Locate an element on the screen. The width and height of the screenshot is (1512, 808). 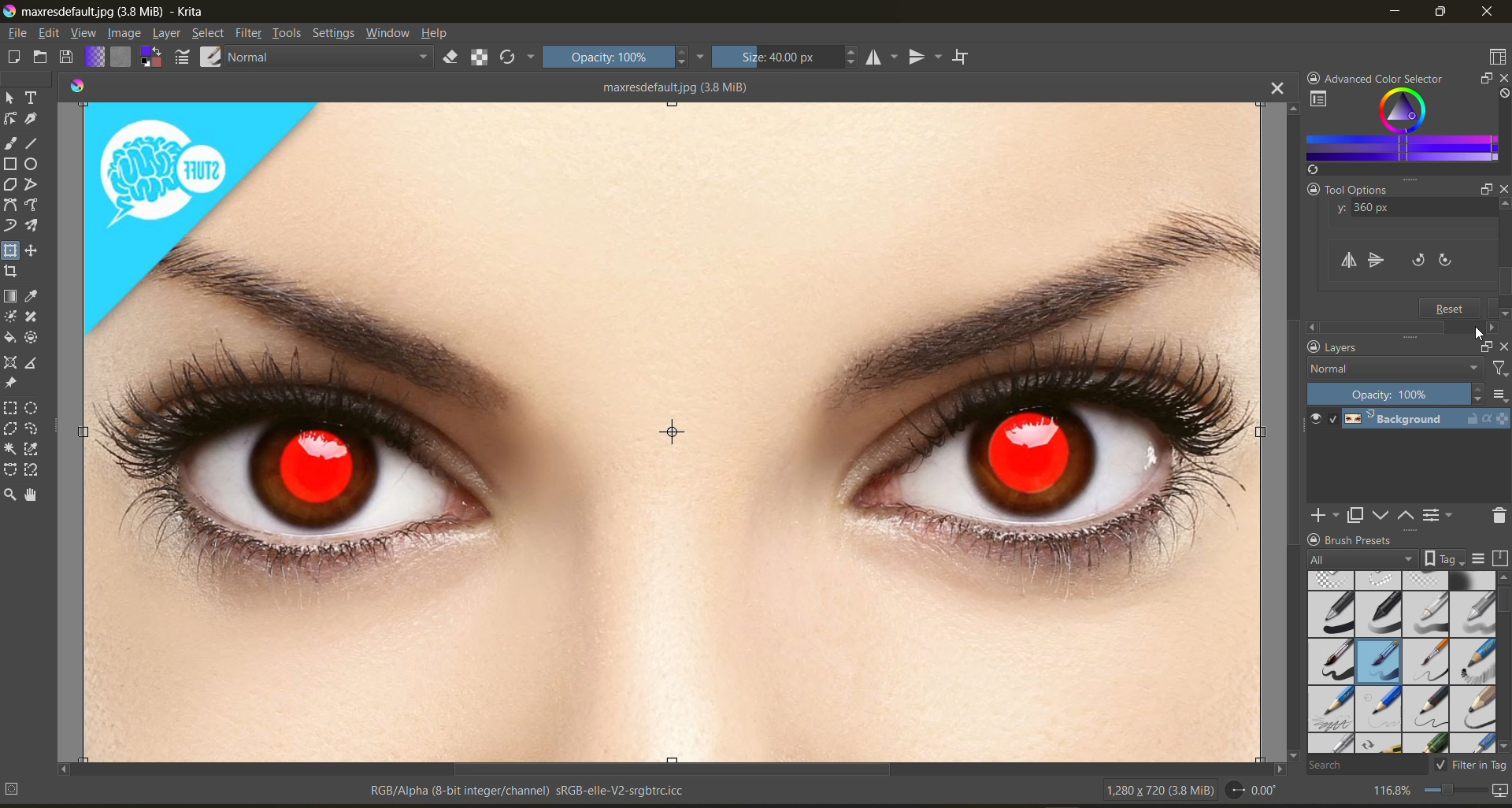
tools is located at coordinates (287, 34).